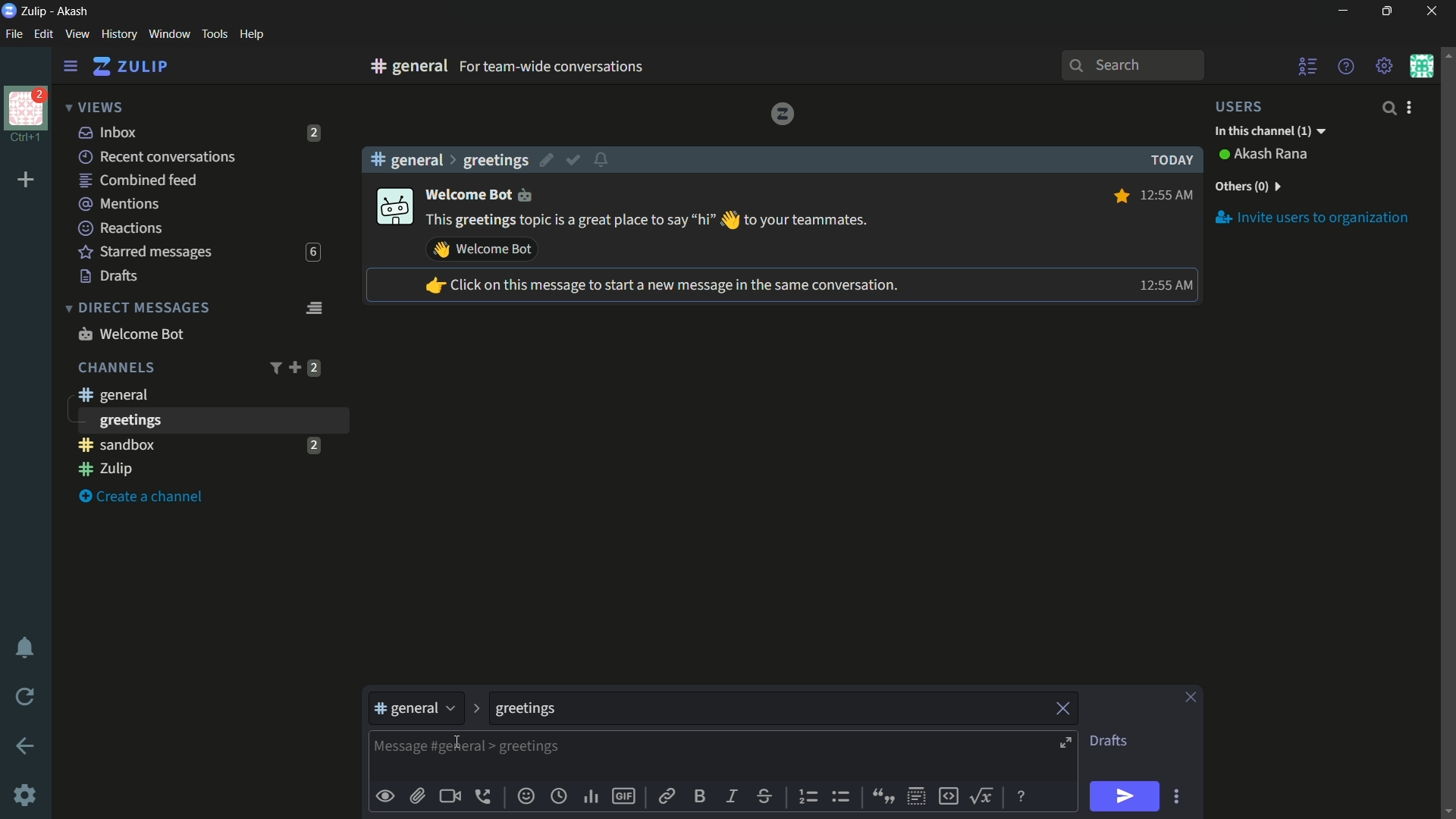 This screenshot has height=819, width=1456. What do you see at coordinates (1313, 217) in the screenshot?
I see `invite users to organization` at bounding box center [1313, 217].